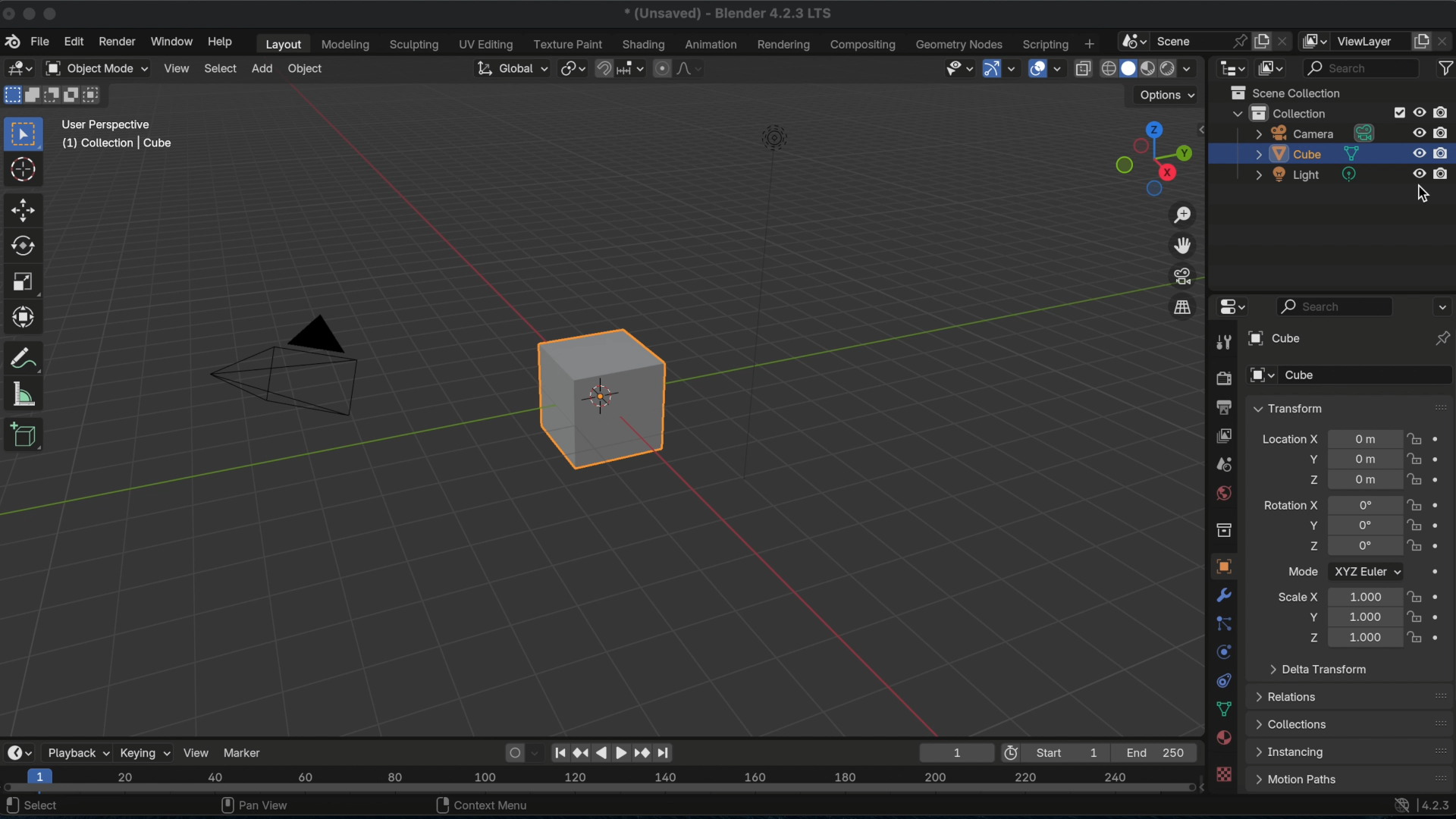 The width and height of the screenshot is (1456, 819). What do you see at coordinates (1365, 481) in the screenshot?
I see `location of object` at bounding box center [1365, 481].